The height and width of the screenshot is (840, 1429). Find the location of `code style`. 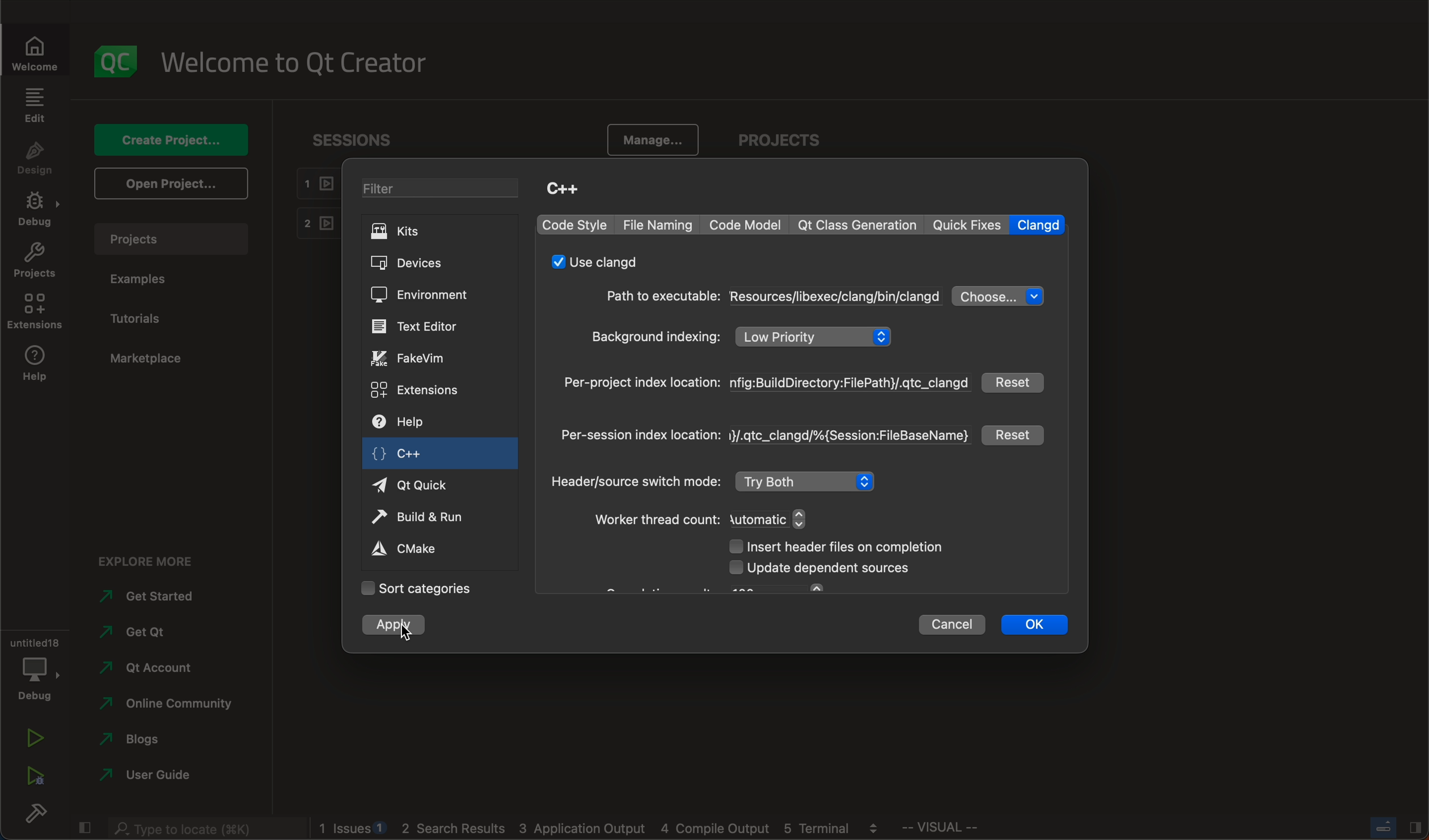

code style is located at coordinates (574, 225).